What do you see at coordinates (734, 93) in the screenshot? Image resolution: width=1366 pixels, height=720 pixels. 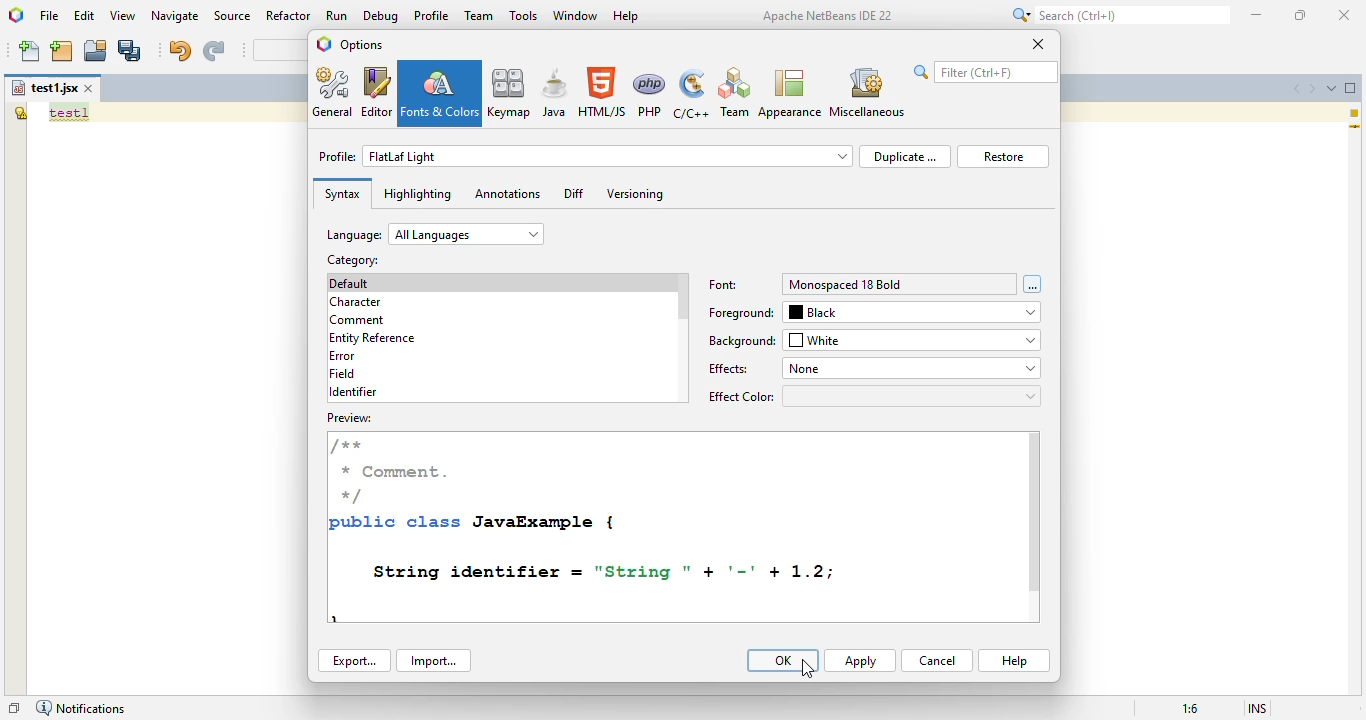 I see `Team` at bounding box center [734, 93].